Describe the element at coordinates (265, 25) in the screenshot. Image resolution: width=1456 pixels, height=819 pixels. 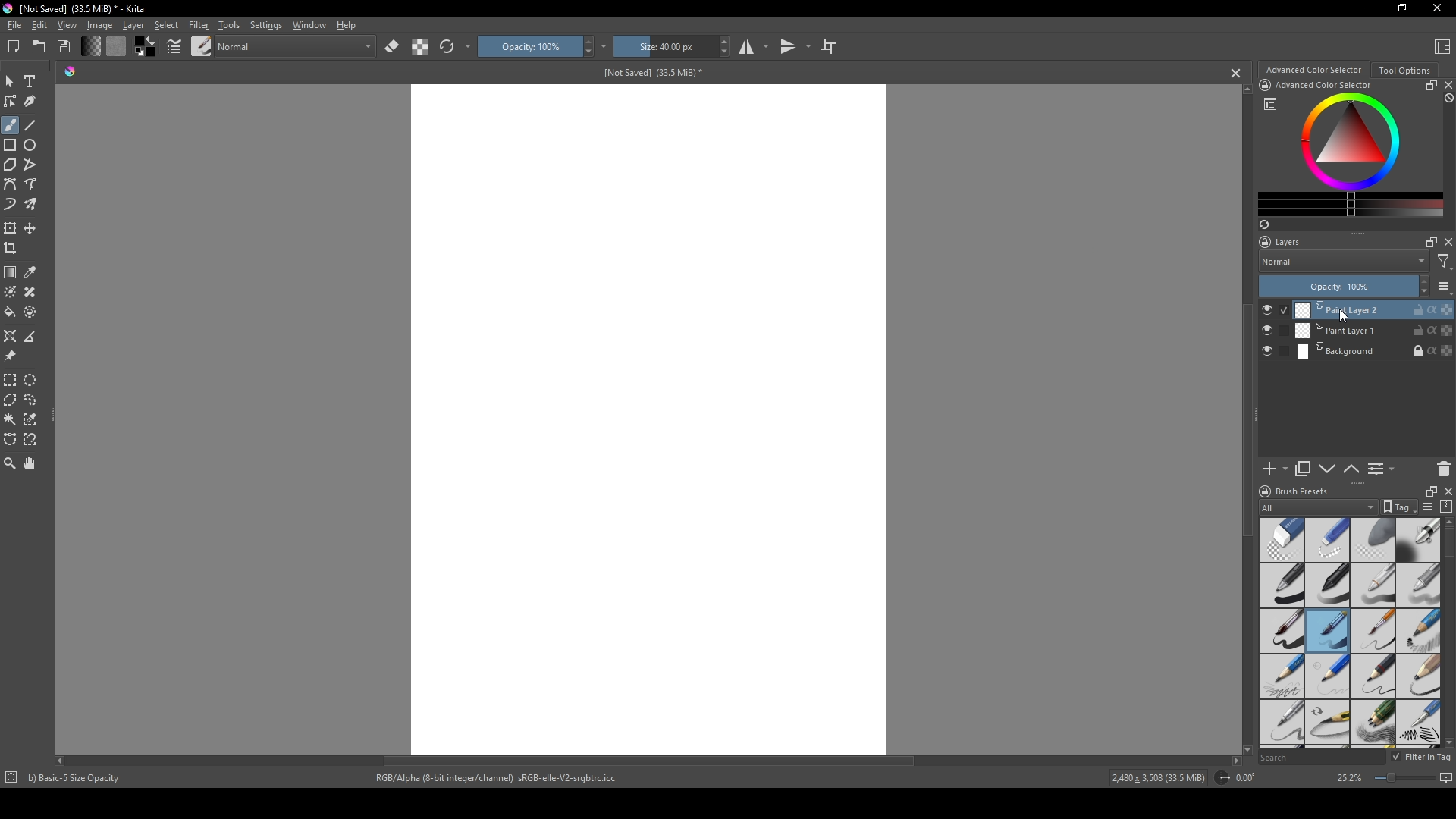
I see `Settings` at that location.